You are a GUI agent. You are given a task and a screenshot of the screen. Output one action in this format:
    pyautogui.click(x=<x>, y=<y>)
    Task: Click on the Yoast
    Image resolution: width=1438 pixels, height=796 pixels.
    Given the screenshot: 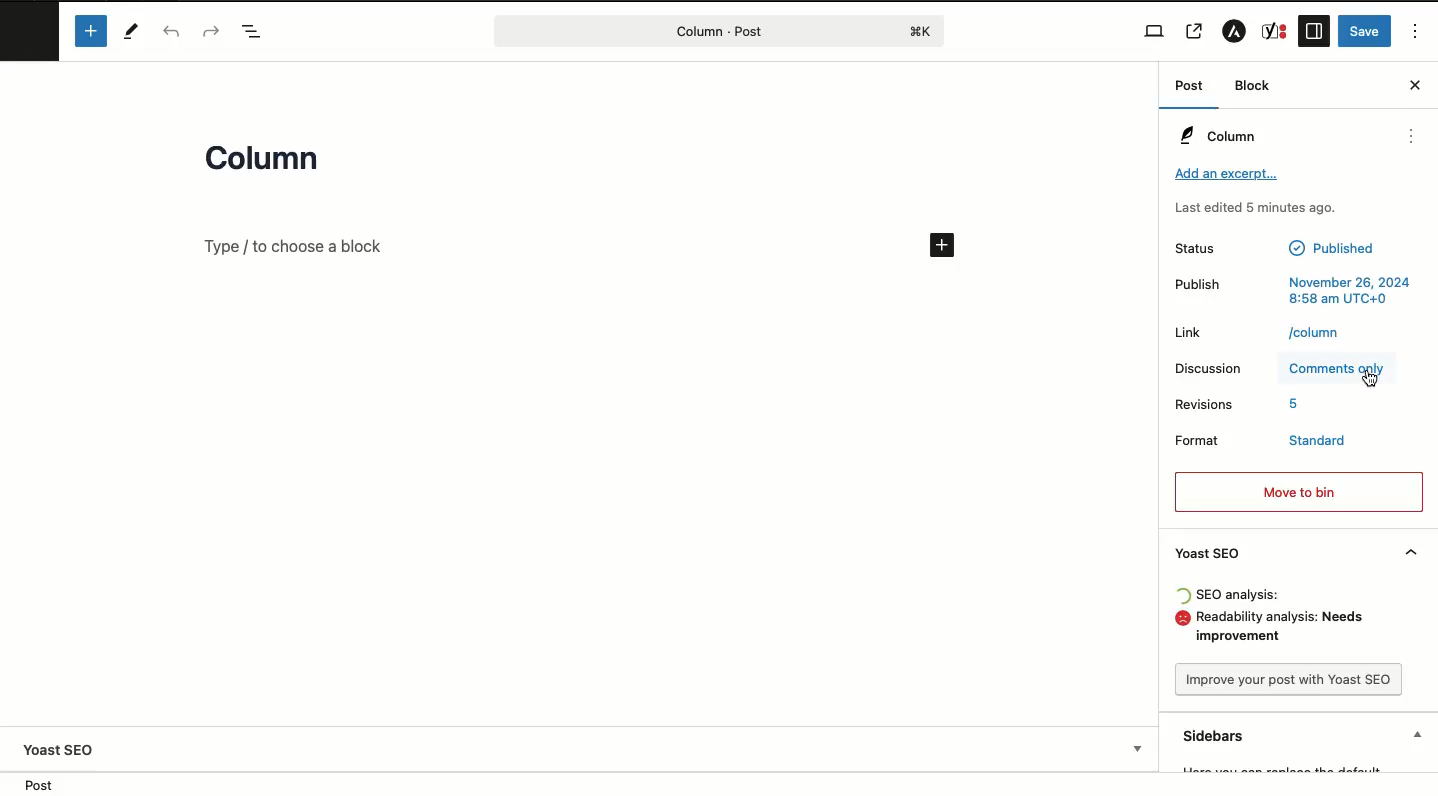 What is the action you would take?
    pyautogui.click(x=1275, y=31)
    